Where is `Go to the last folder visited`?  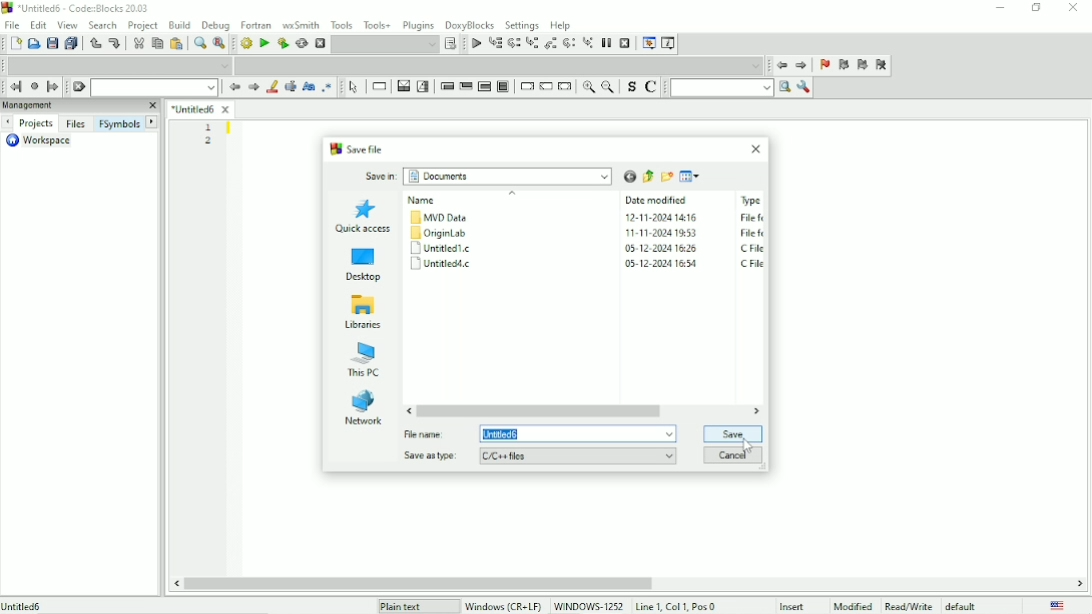
Go to the last folder visited is located at coordinates (628, 175).